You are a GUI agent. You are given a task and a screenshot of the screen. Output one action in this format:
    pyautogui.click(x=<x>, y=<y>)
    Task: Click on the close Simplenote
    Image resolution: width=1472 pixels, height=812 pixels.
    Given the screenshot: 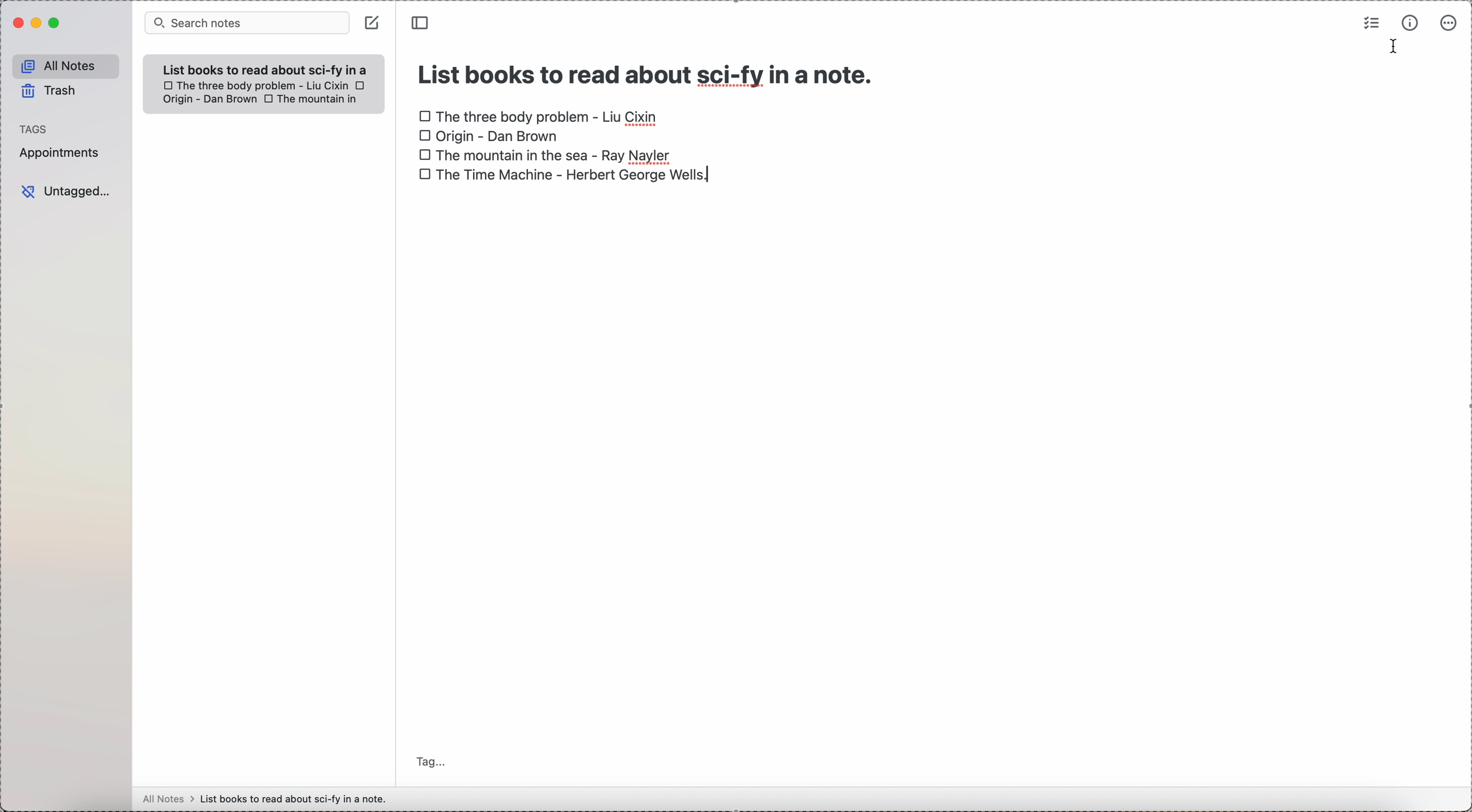 What is the action you would take?
    pyautogui.click(x=16, y=23)
    